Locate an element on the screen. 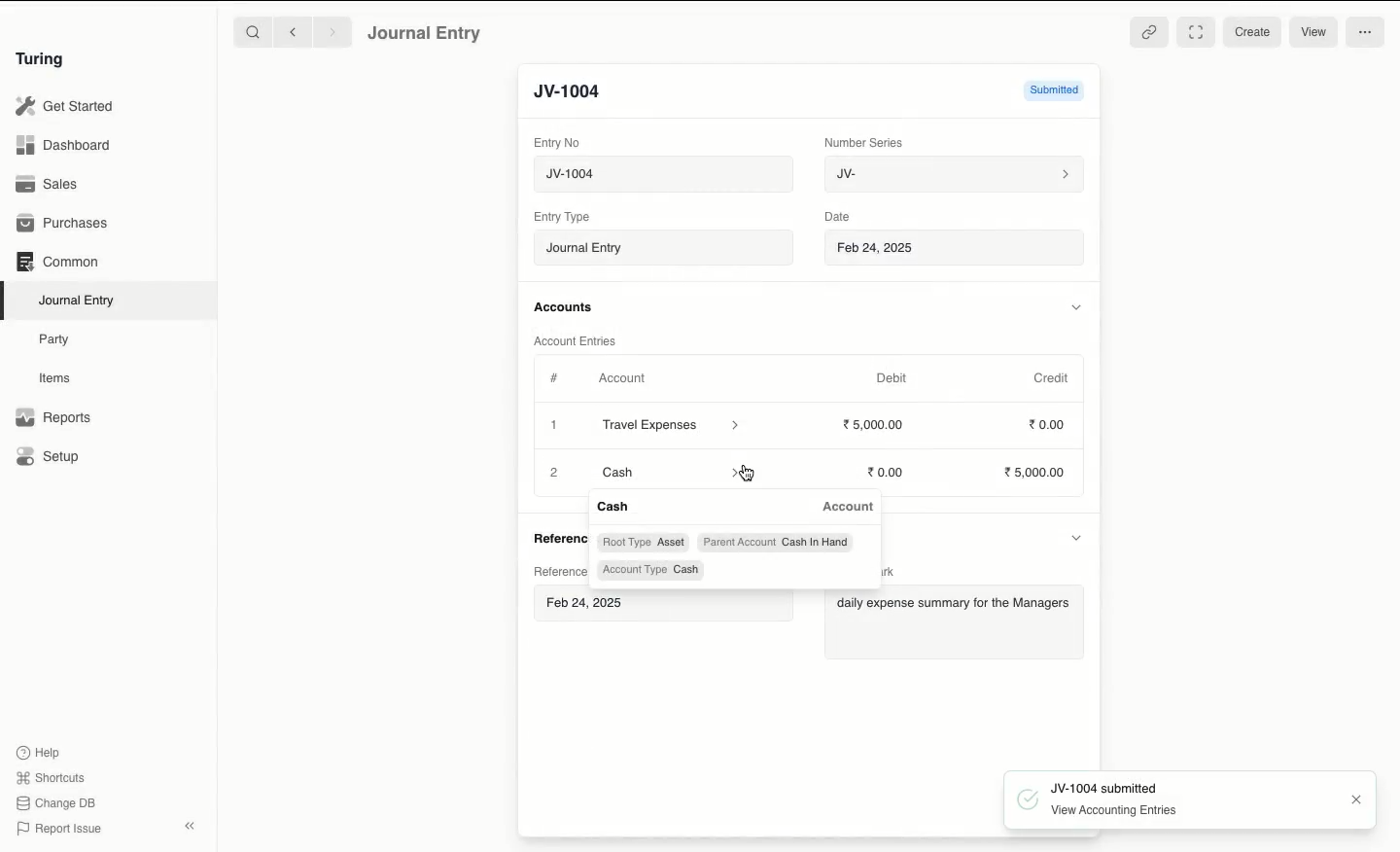 Image resolution: width=1400 pixels, height=852 pixels. Party is located at coordinates (59, 340).